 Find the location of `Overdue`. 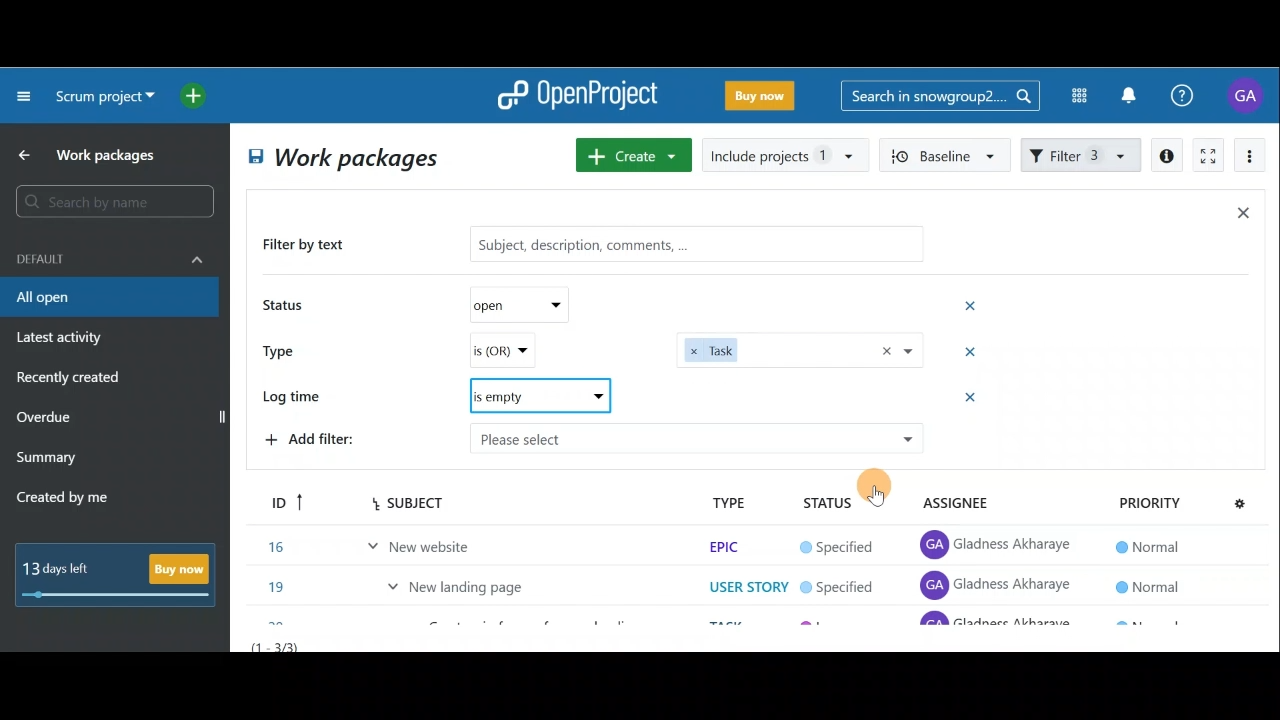

Overdue is located at coordinates (46, 419).